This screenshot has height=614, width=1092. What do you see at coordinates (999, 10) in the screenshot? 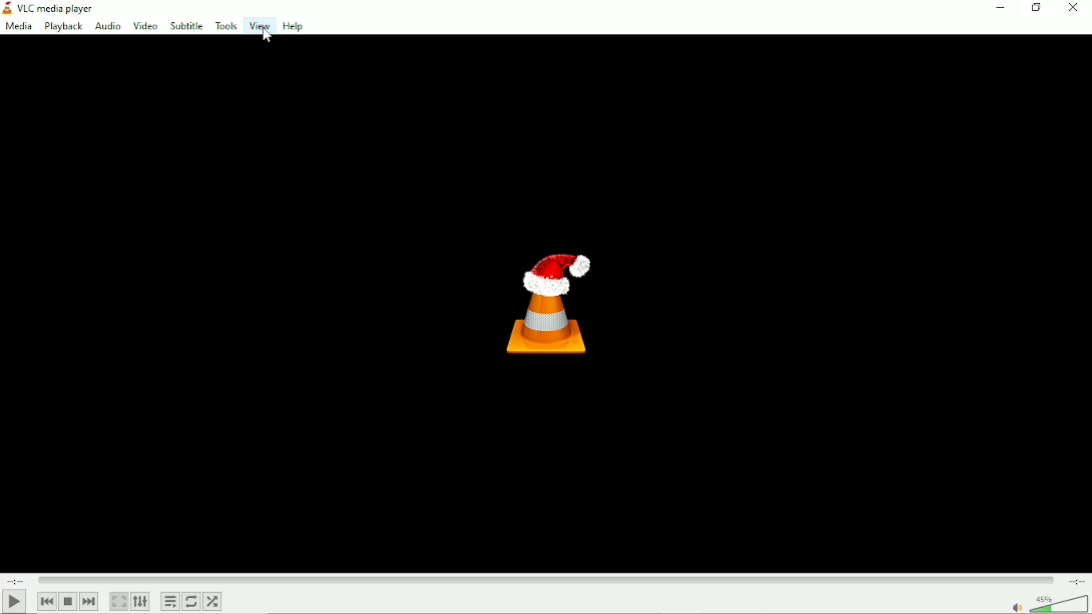
I see `Minimize` at bounding box center [999, 10].